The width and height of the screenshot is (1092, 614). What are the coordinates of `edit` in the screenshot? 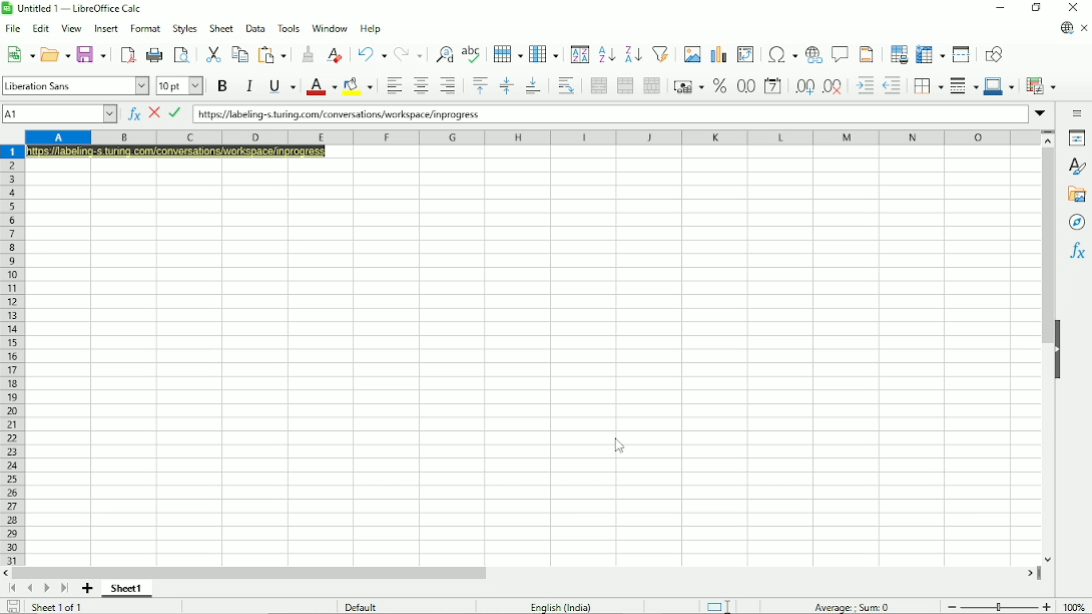 It's located at (43, 27).